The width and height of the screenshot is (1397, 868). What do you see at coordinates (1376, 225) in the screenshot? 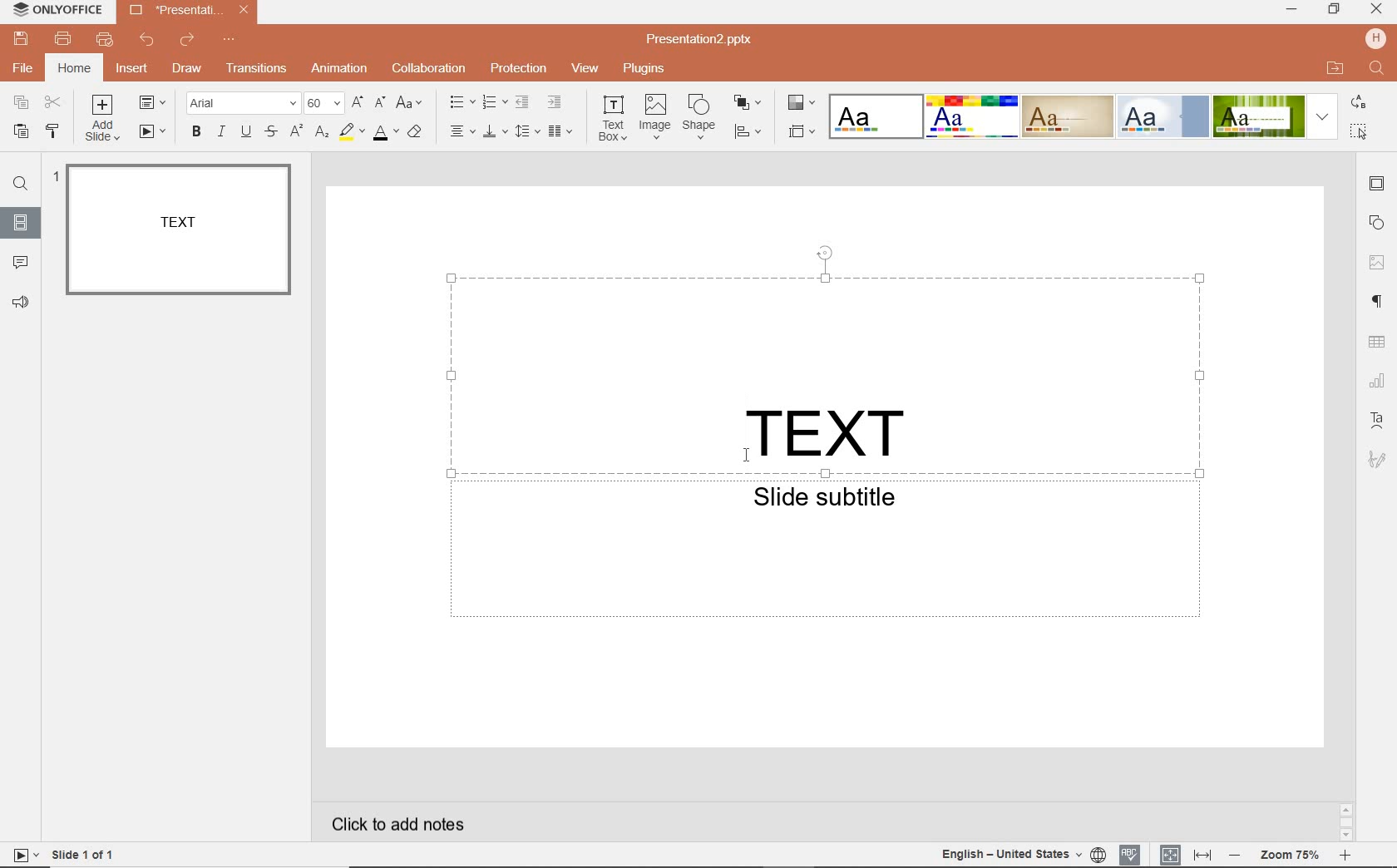
I see `SHAPE SETTINGS` at bounding box center [1376, 225].